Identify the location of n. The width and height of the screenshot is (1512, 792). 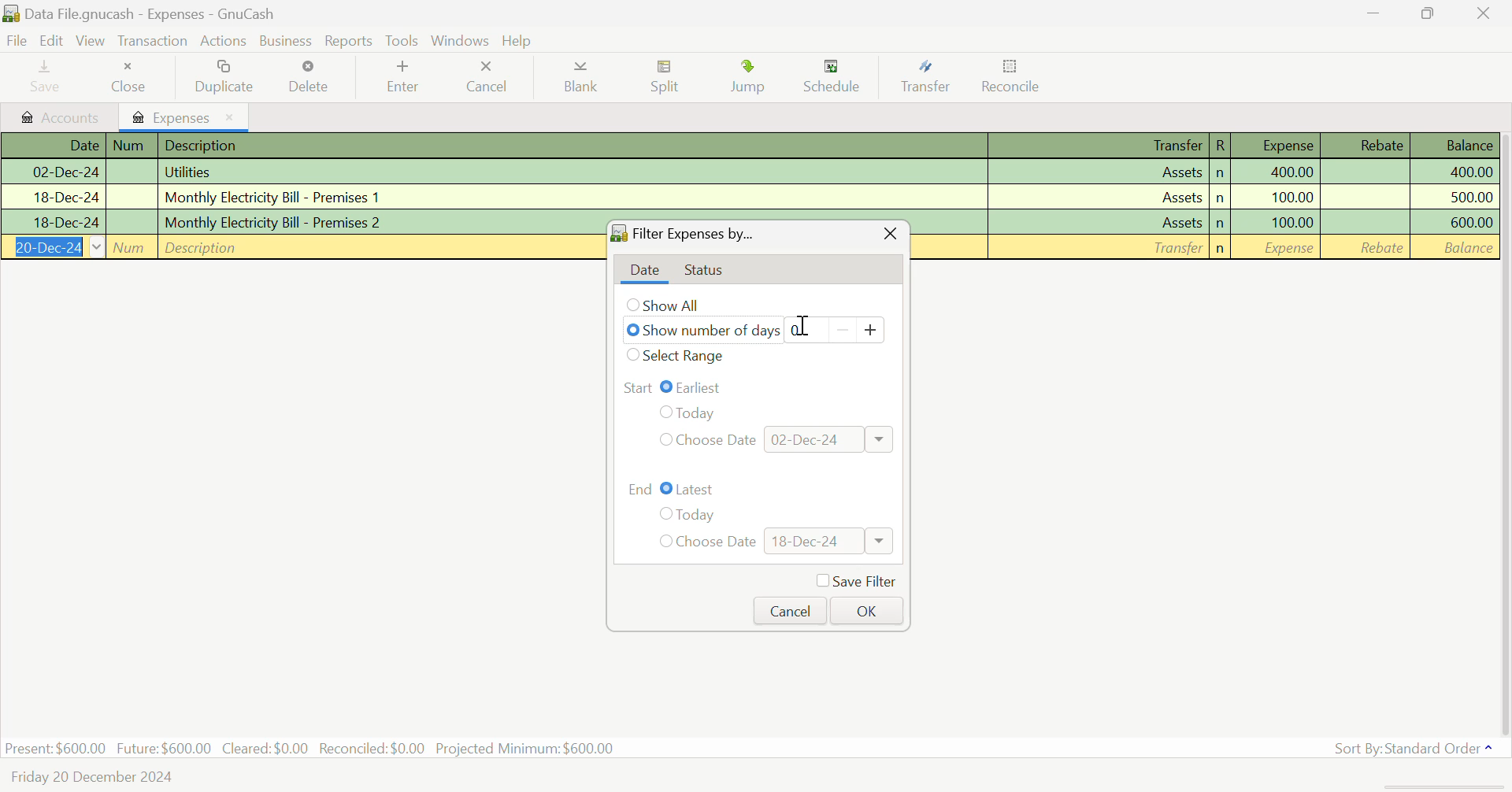
(1221, 198).